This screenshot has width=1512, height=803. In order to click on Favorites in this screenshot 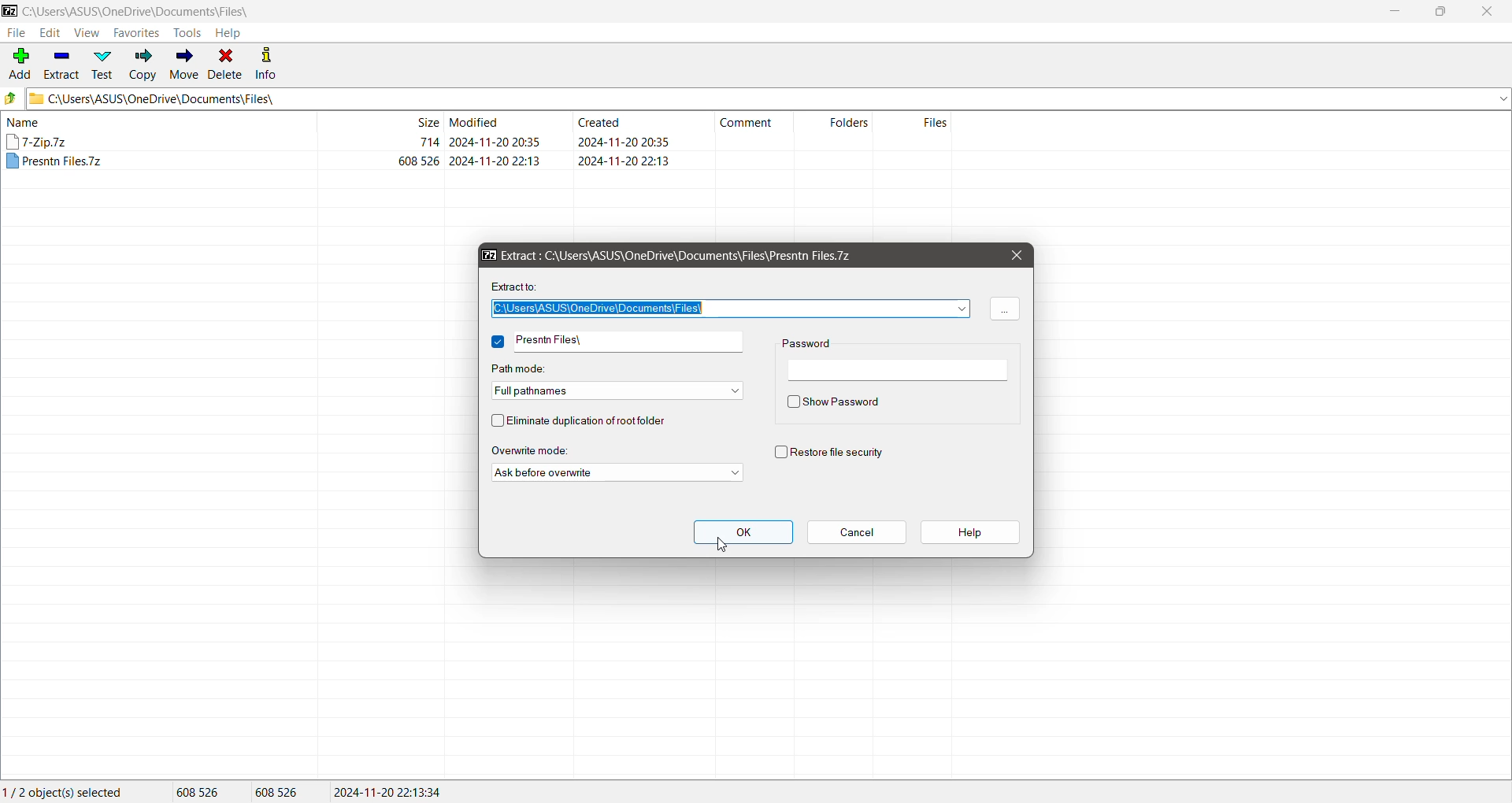, I will do `click(137, 32)`.